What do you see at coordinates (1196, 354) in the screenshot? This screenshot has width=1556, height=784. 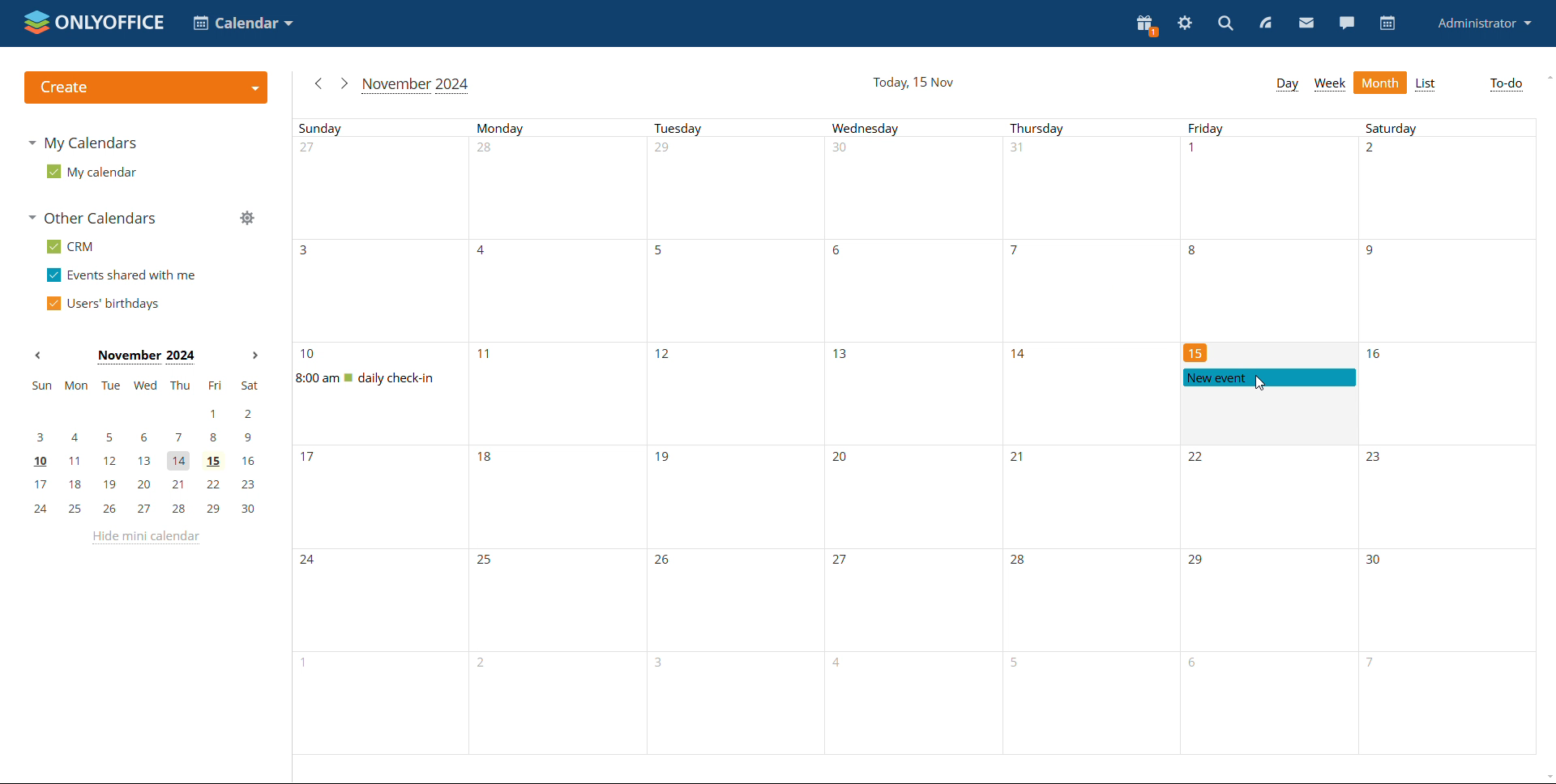 I see `Number` at bounding box center [1196, 354].